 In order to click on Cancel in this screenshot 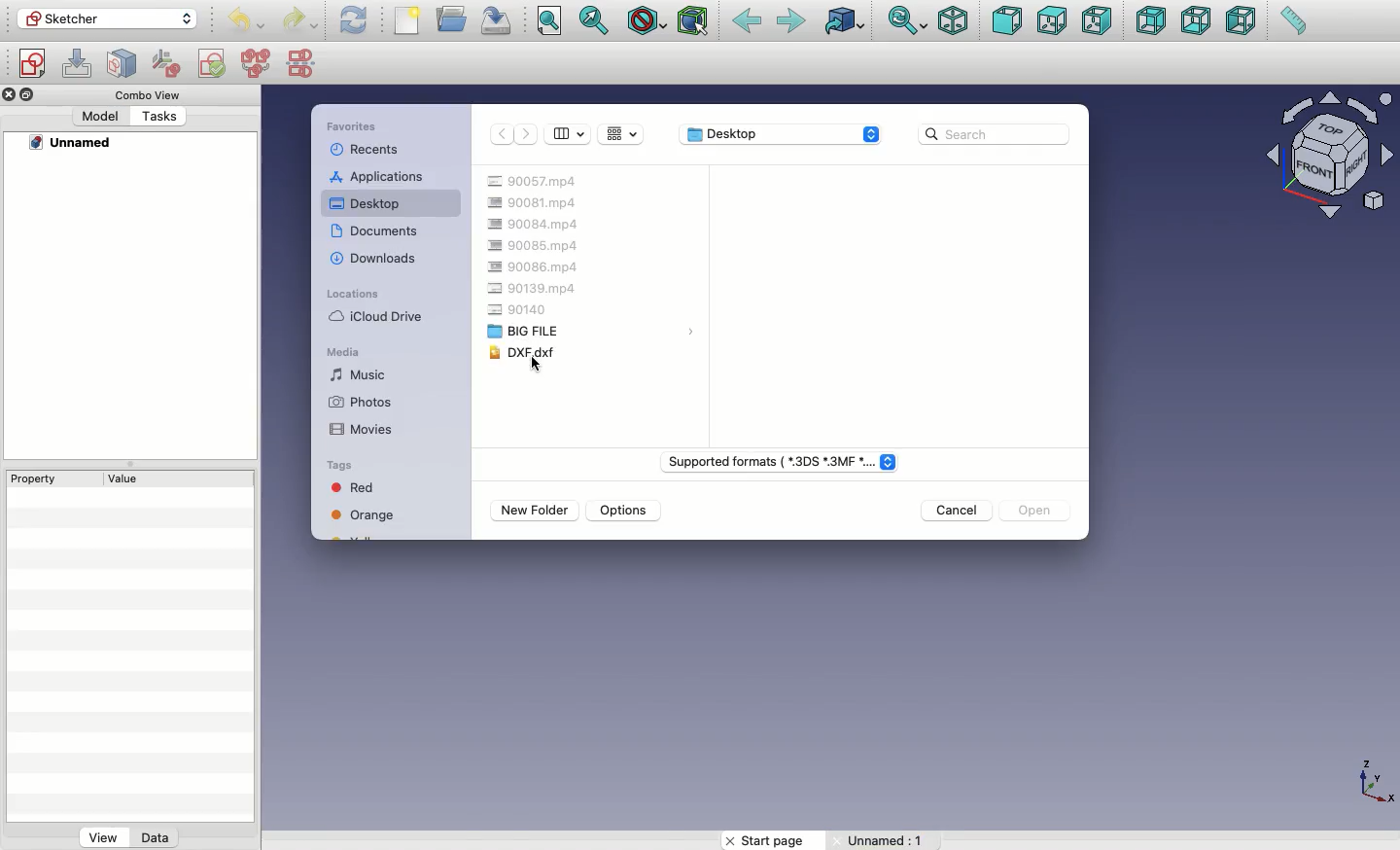, I will do `click(959, 511)`.